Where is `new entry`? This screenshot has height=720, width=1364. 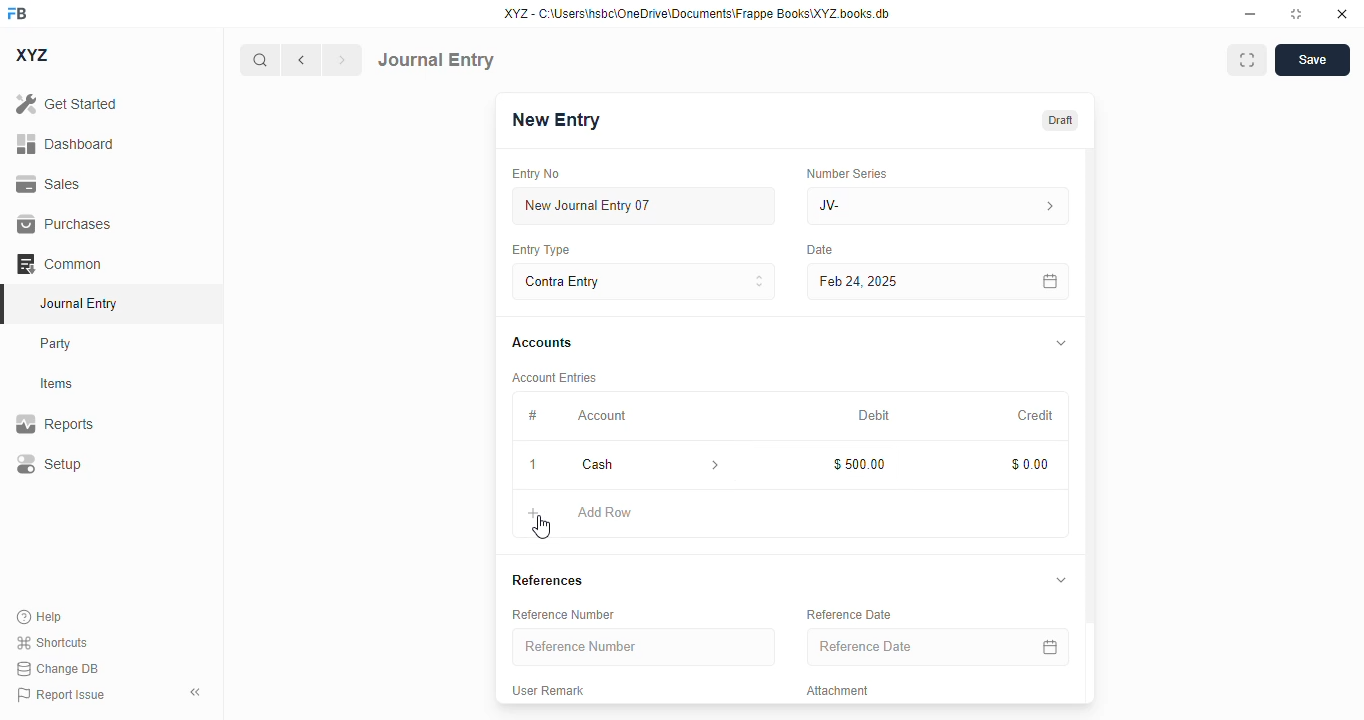 new entry is located at coordinates (557, 119).